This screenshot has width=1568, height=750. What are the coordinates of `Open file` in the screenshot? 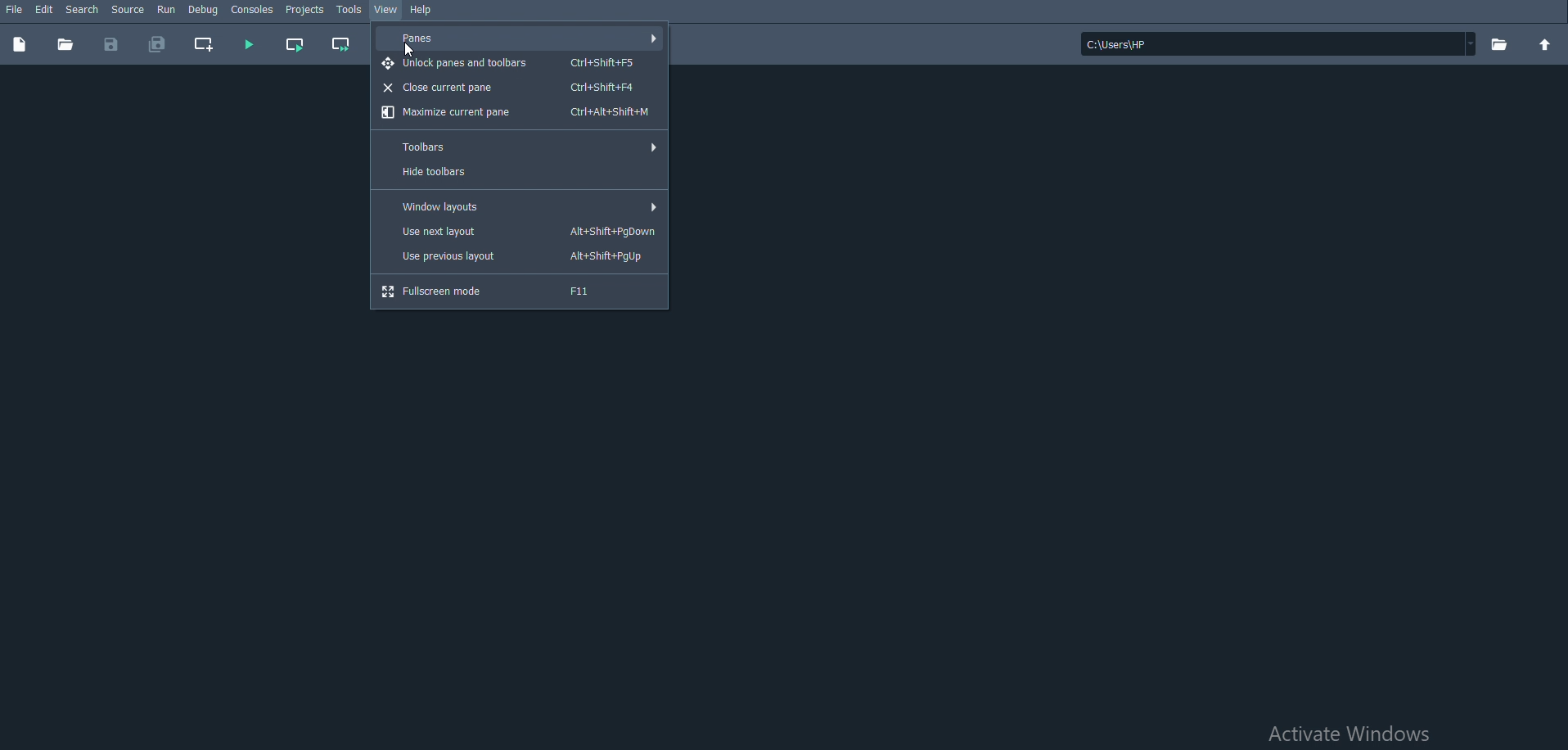 It's located at (65, 44).